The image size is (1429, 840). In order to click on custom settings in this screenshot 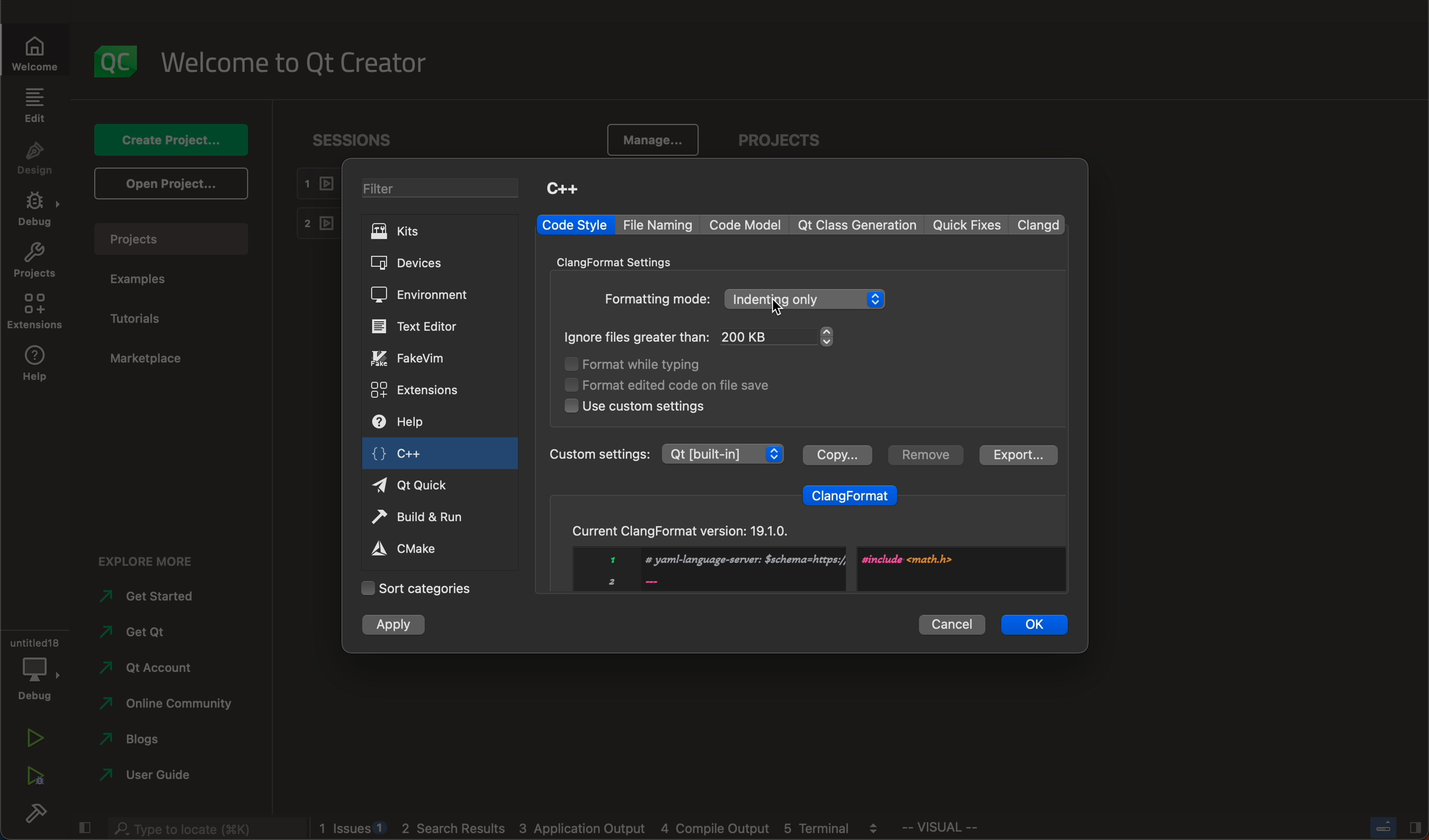, I will do `click(635, 406)`.